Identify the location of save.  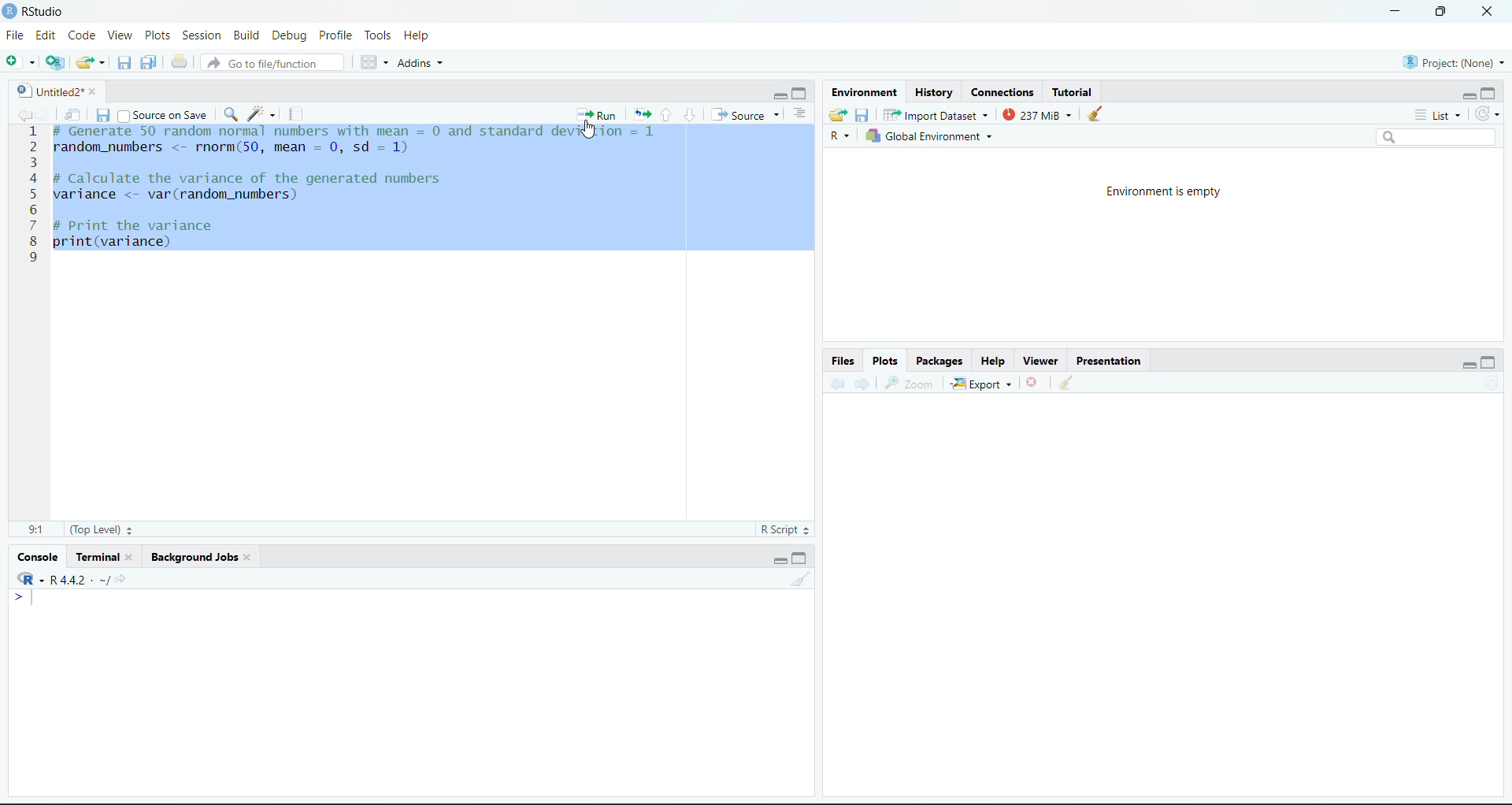
(103, 115).